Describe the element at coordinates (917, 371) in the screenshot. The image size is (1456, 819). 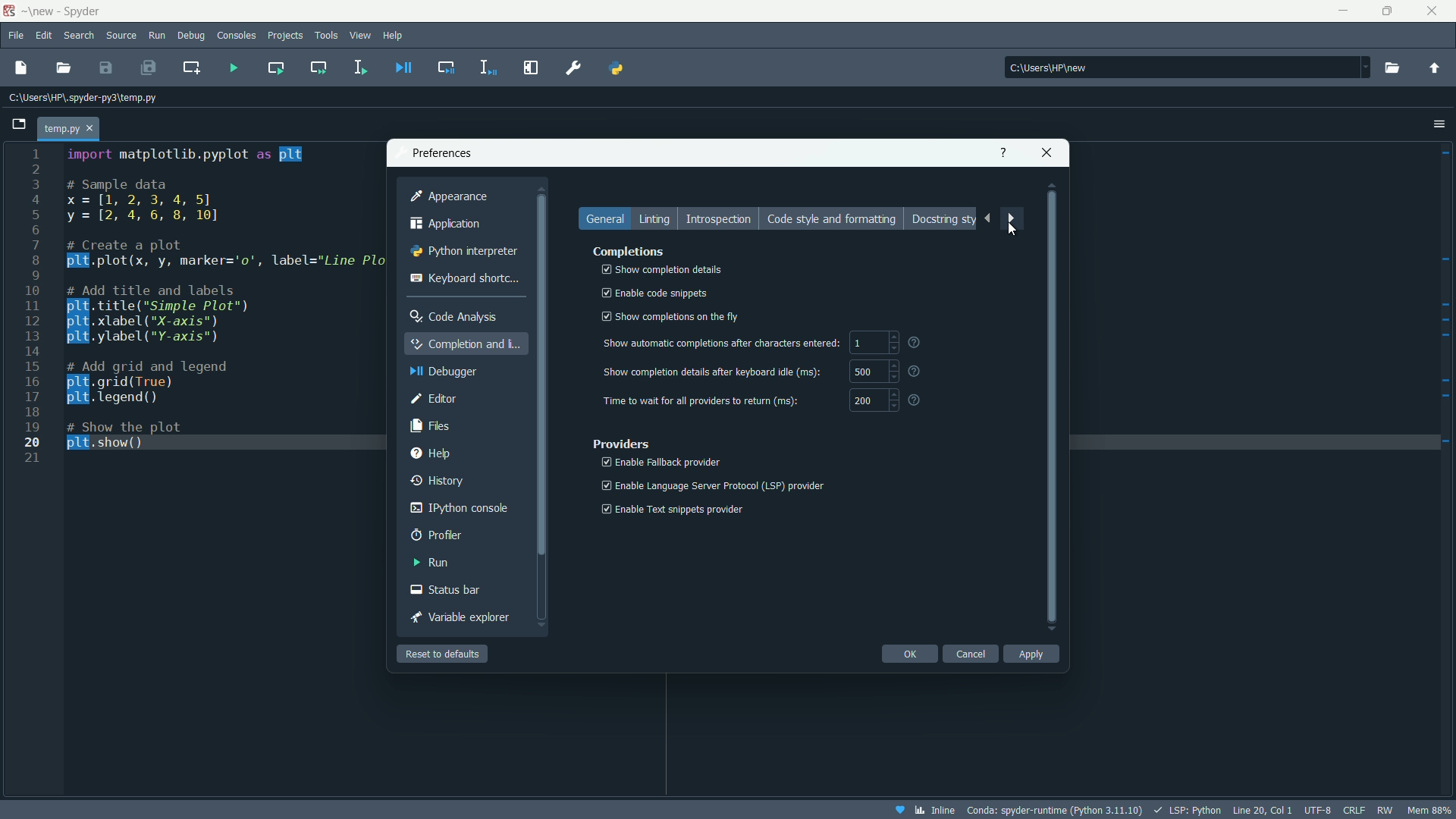
I see `question mark` at that location.